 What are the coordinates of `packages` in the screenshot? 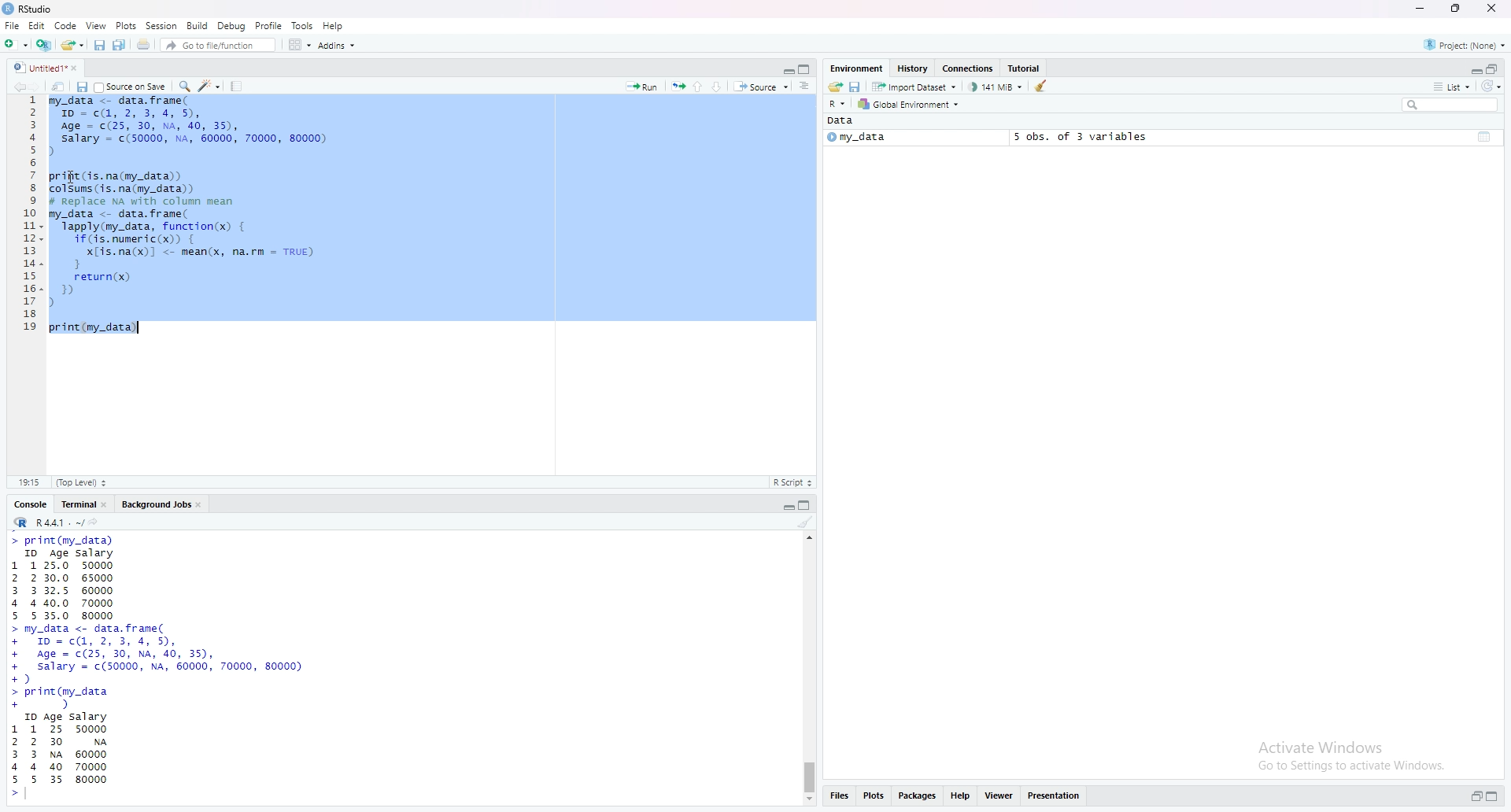 It's located at (918, 795).